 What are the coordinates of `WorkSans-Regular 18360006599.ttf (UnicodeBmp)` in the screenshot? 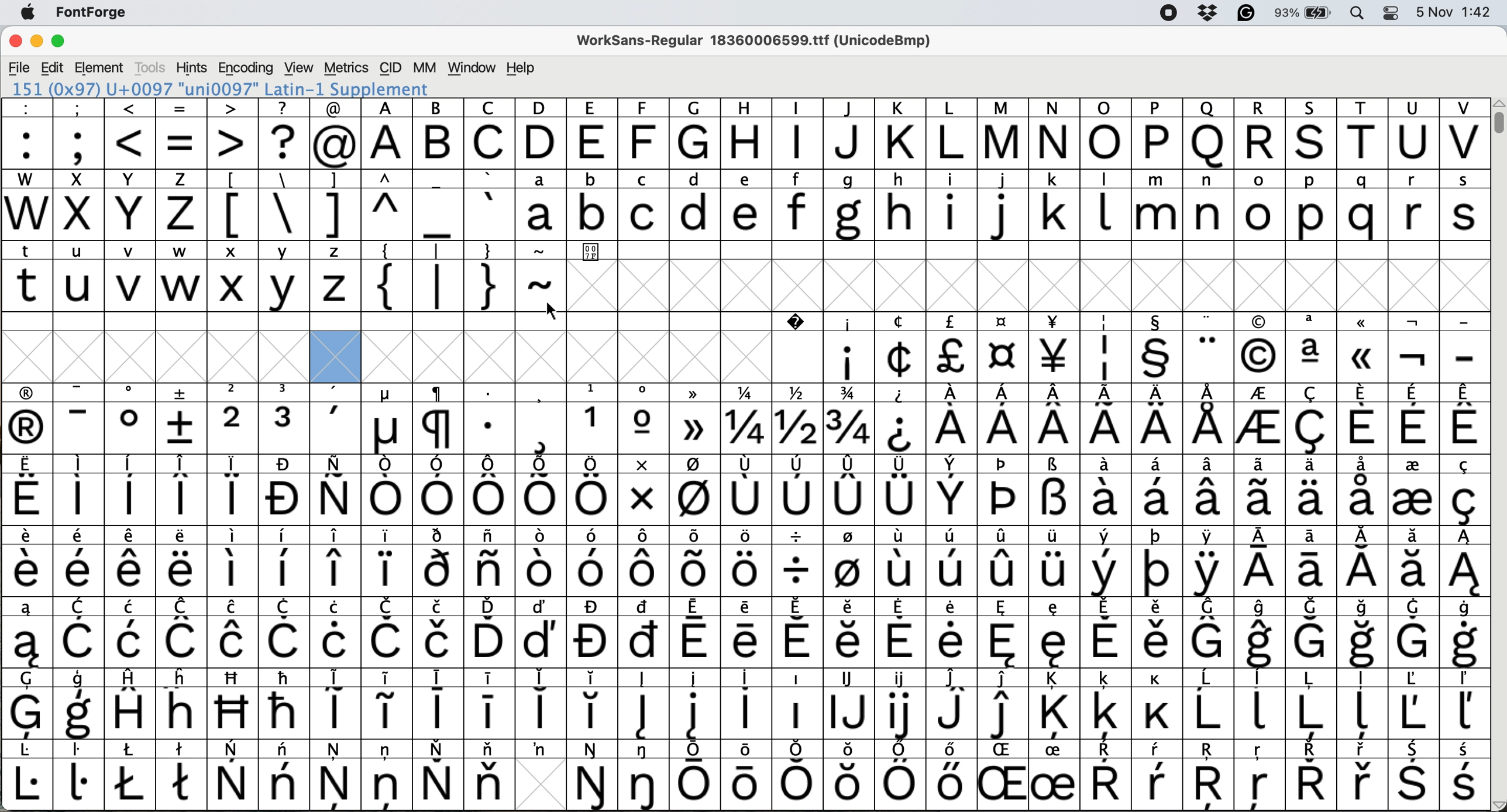 It's located at (754, 43).